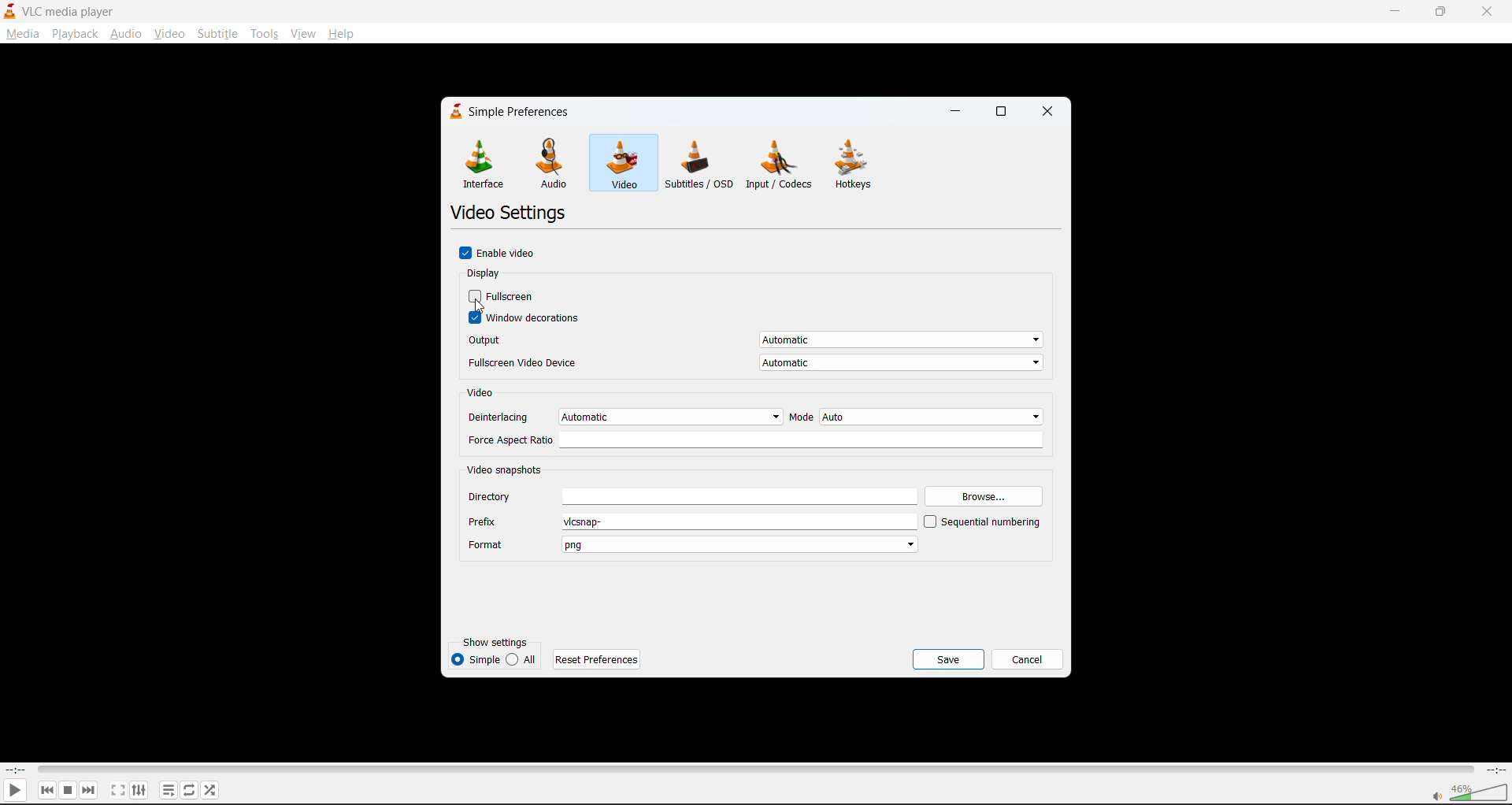 Image resolution: width=1512 pixels, height=805 pixels. What do you see at coordinates (750, 362) in the screenshot?
I see `fullscreen video device` at bounding box center [750, 362].